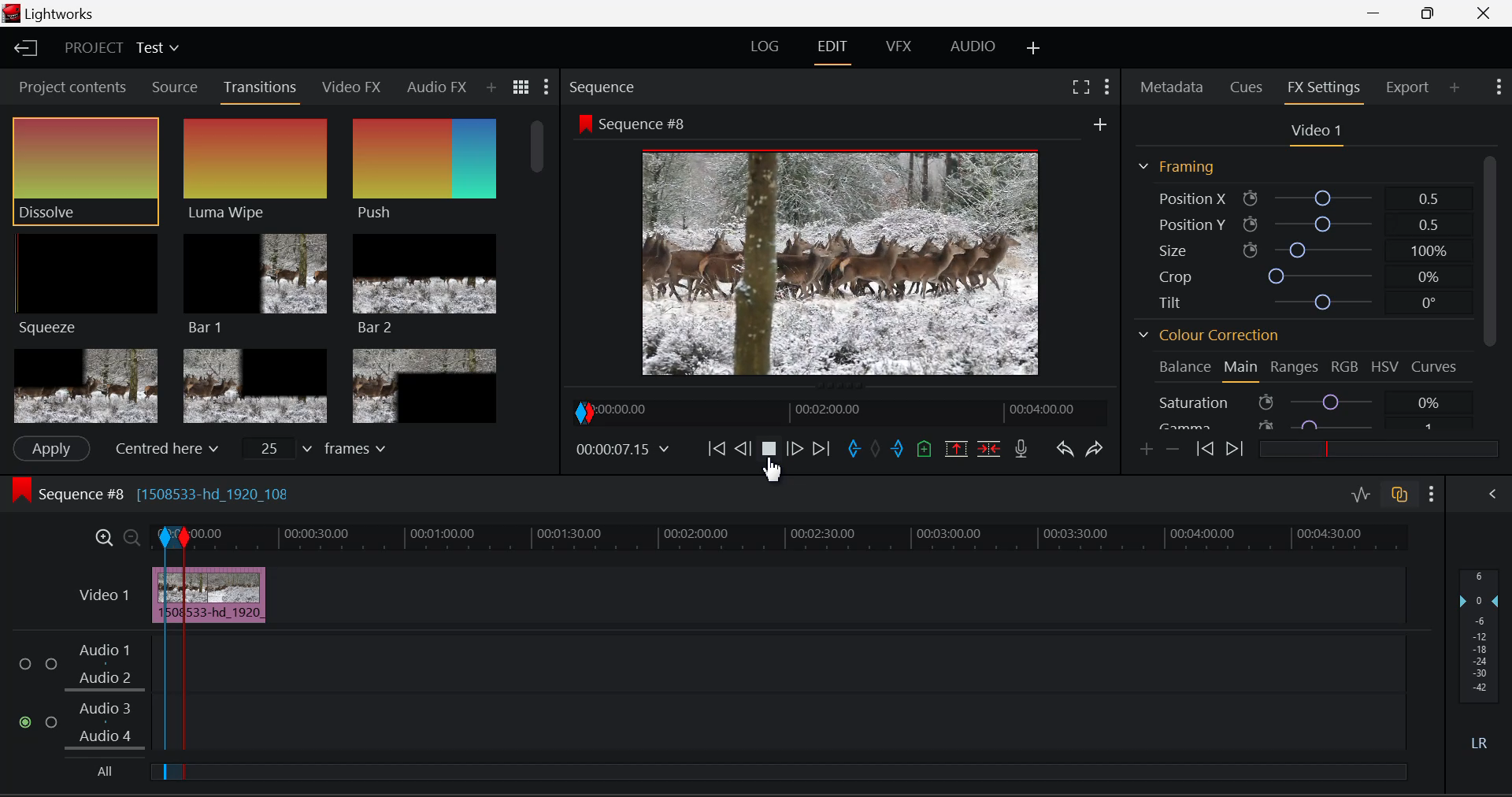  Describe the element at coordinates (1204, 449) in the screenshot. I see `Previous keyframe` at that location.